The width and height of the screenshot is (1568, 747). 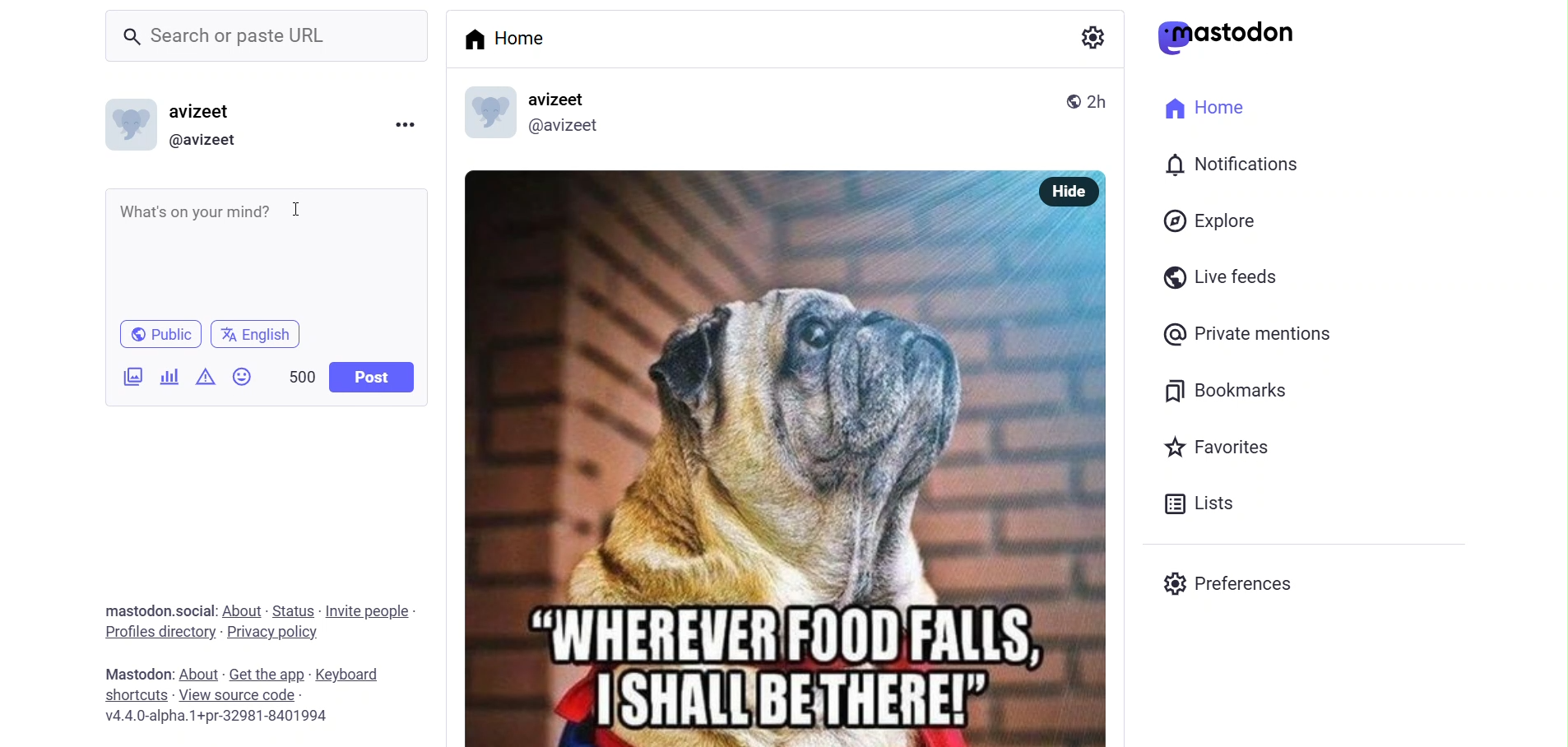 What do you see at coordinates (134, 694) in the screenshot?
I see `shortcut` at bounding box center [134, 694].